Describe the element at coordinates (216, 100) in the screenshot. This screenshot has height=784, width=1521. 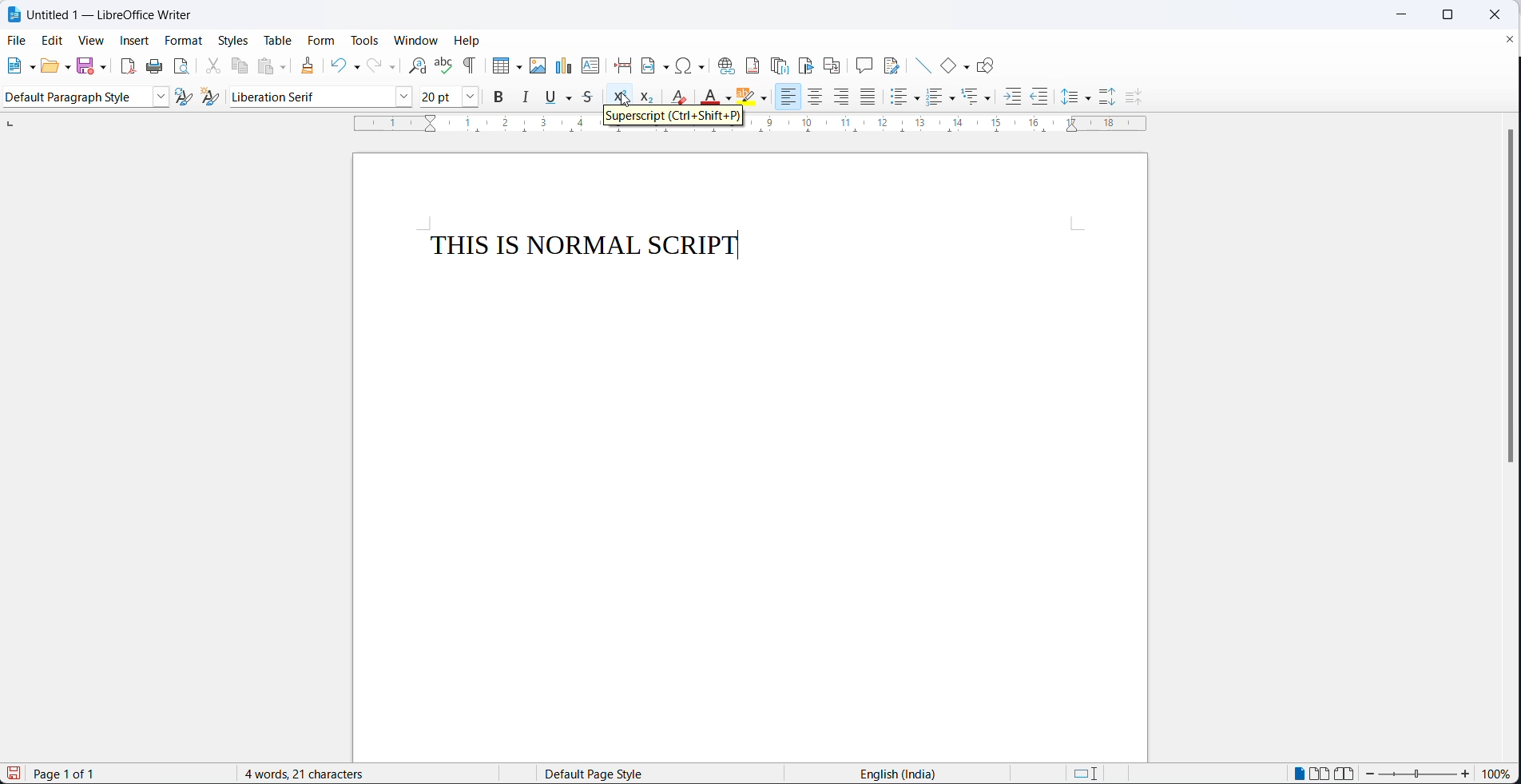
I see `create new style from selection` at that location.